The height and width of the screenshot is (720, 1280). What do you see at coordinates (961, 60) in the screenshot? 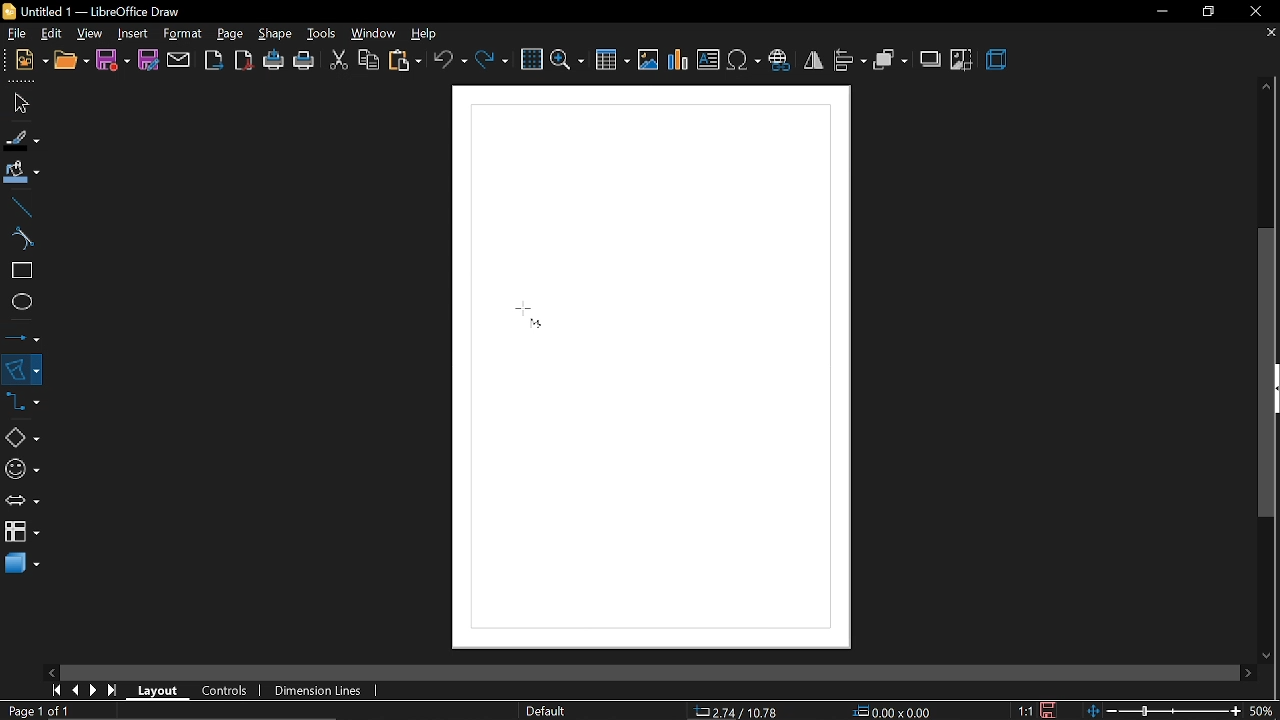
I see `crop` at bounding box center [961, 60].